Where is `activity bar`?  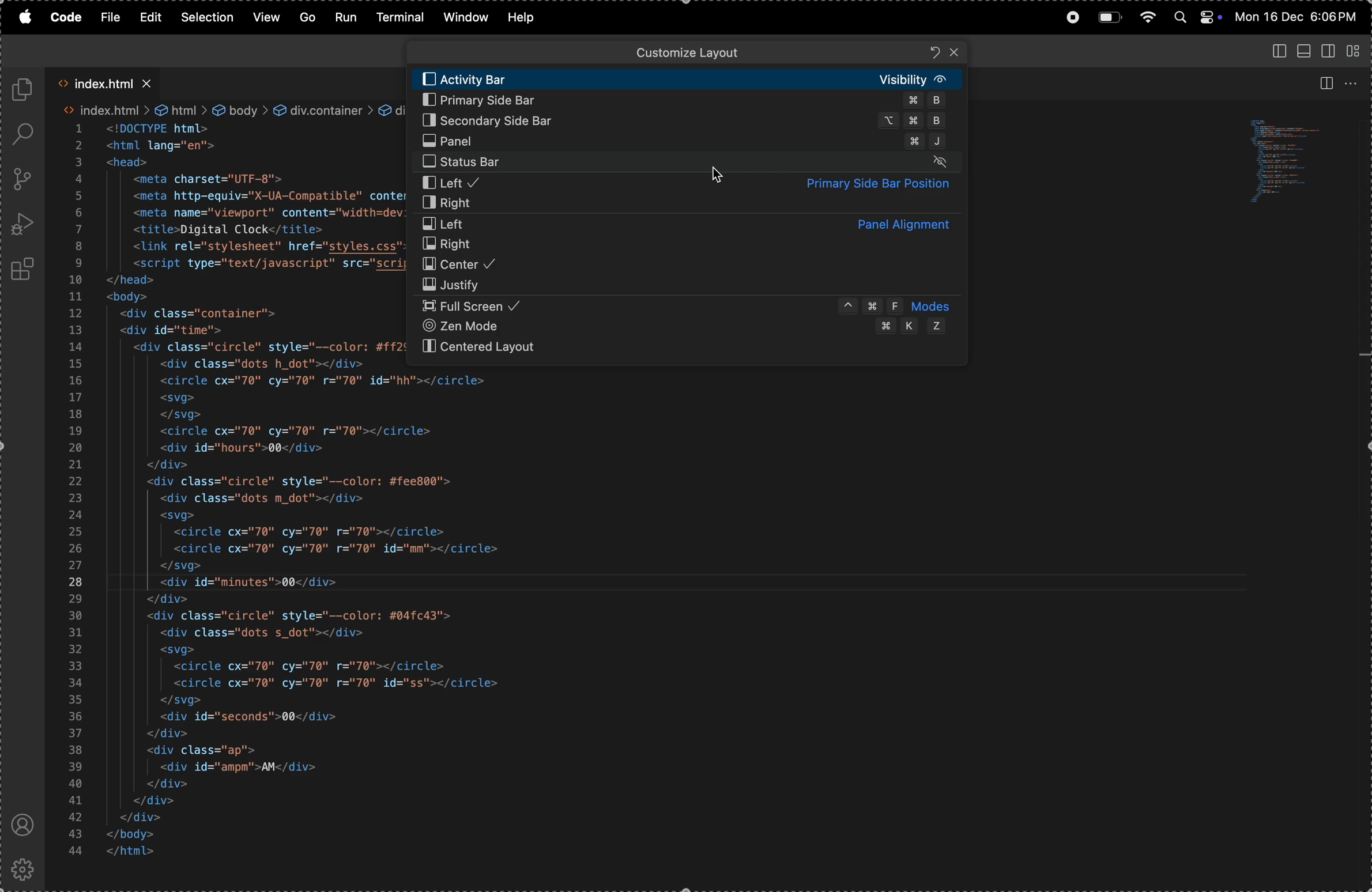
activity bar is located at coordinates (685, 81).